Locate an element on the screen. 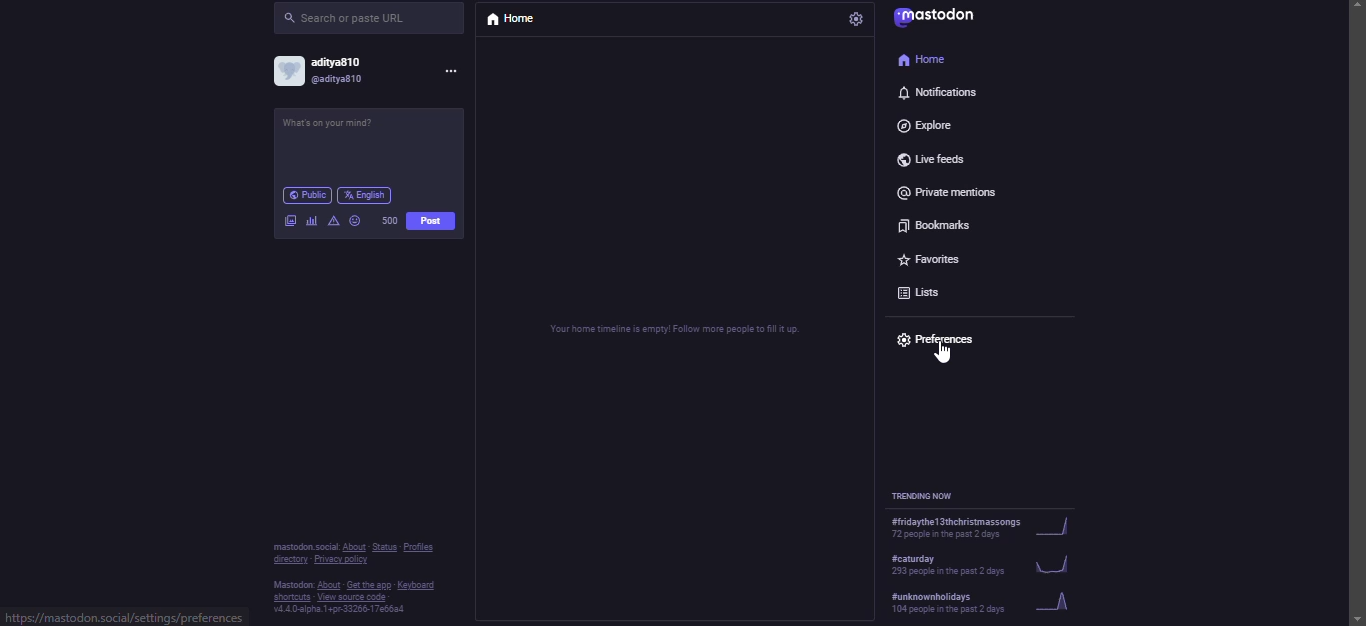 The image size is (1366, 626). english is located at coordinates (368, 194).